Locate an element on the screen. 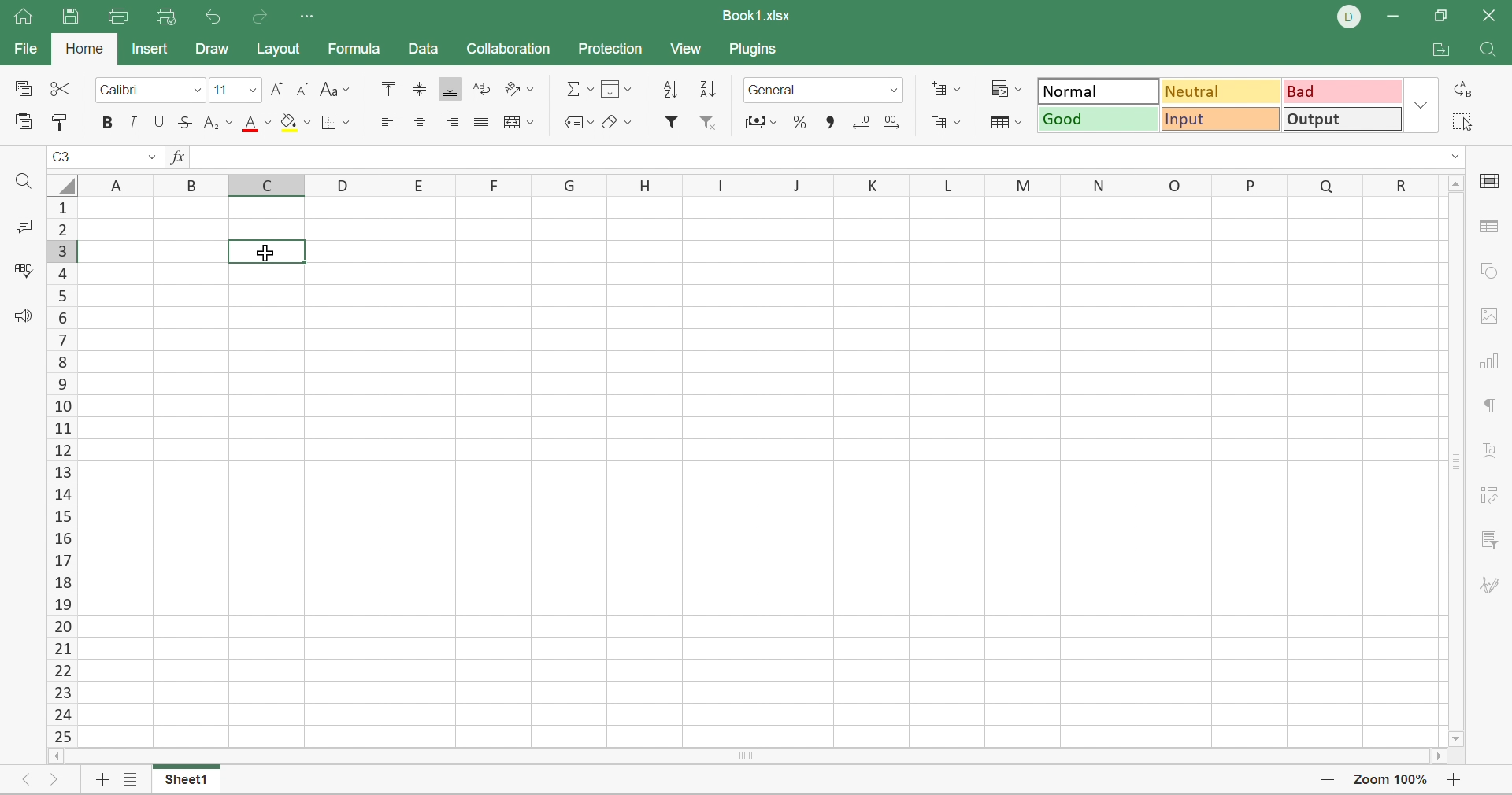  DELL is located at coordinates (1351, 17).